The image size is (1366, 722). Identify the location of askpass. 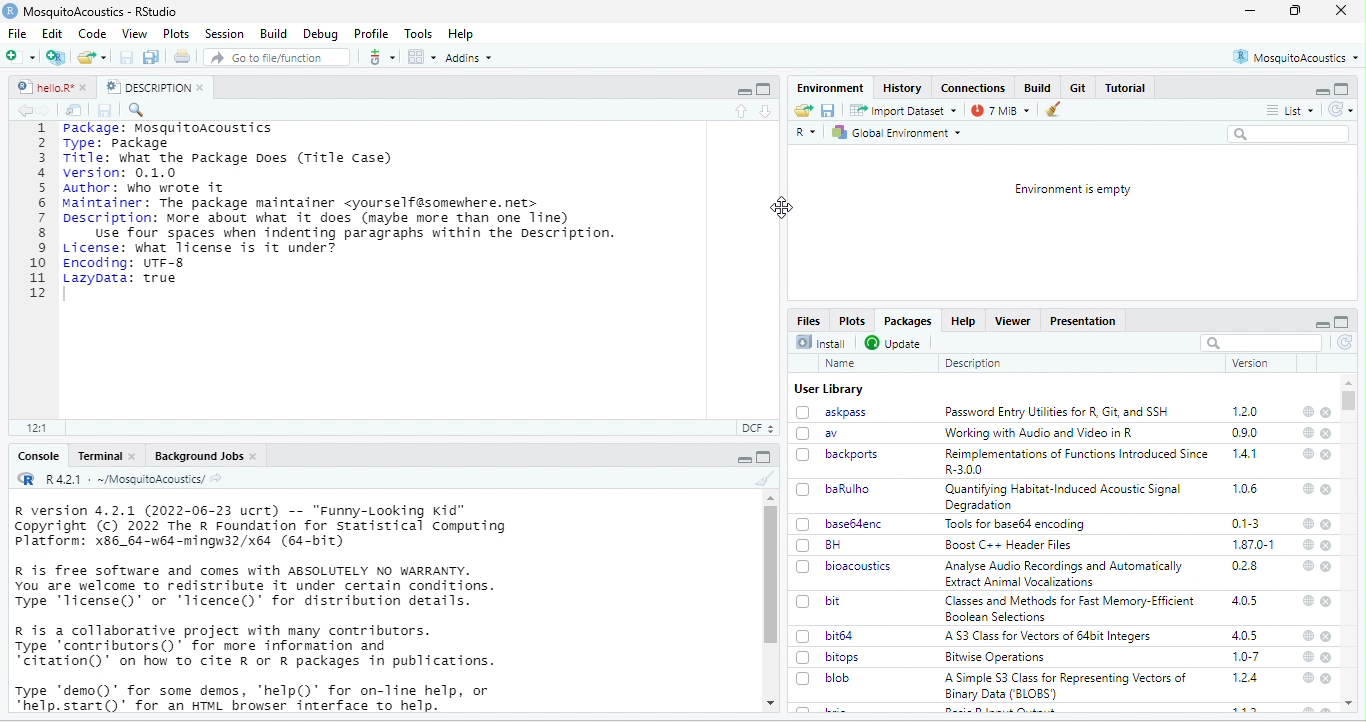
(832, 412).